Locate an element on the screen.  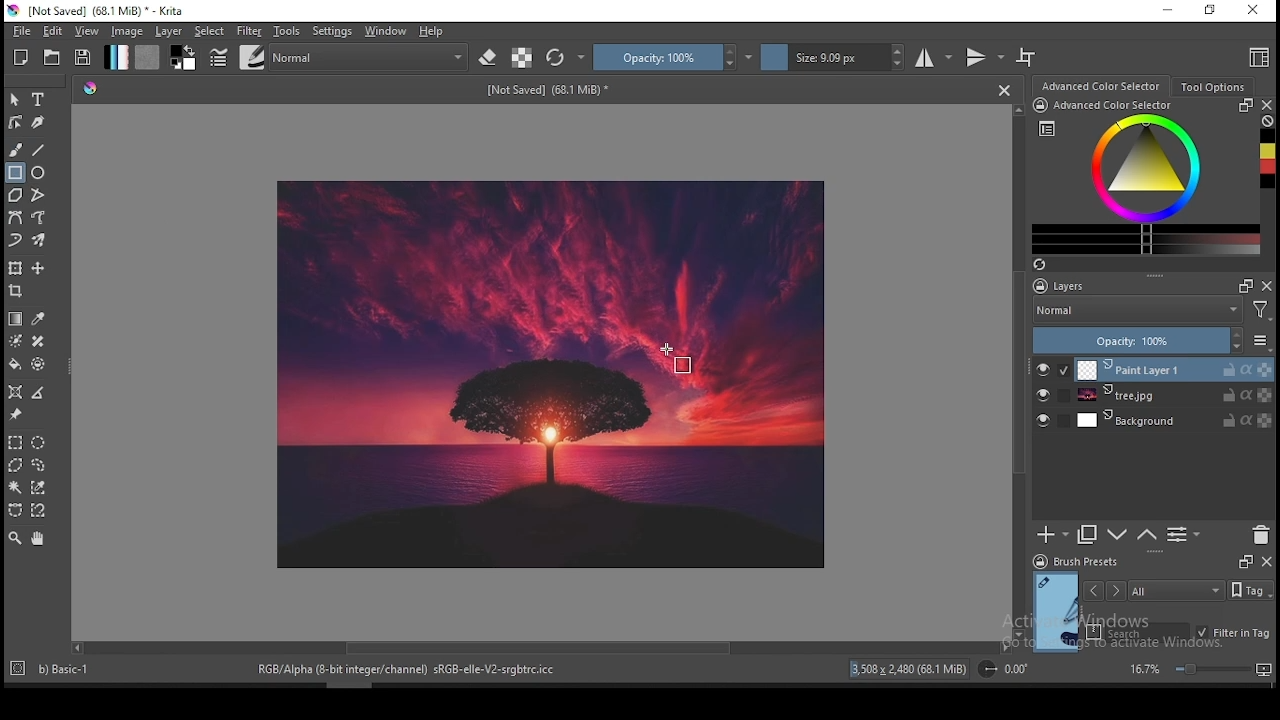
roattion is located at coordinates (1001, 669).